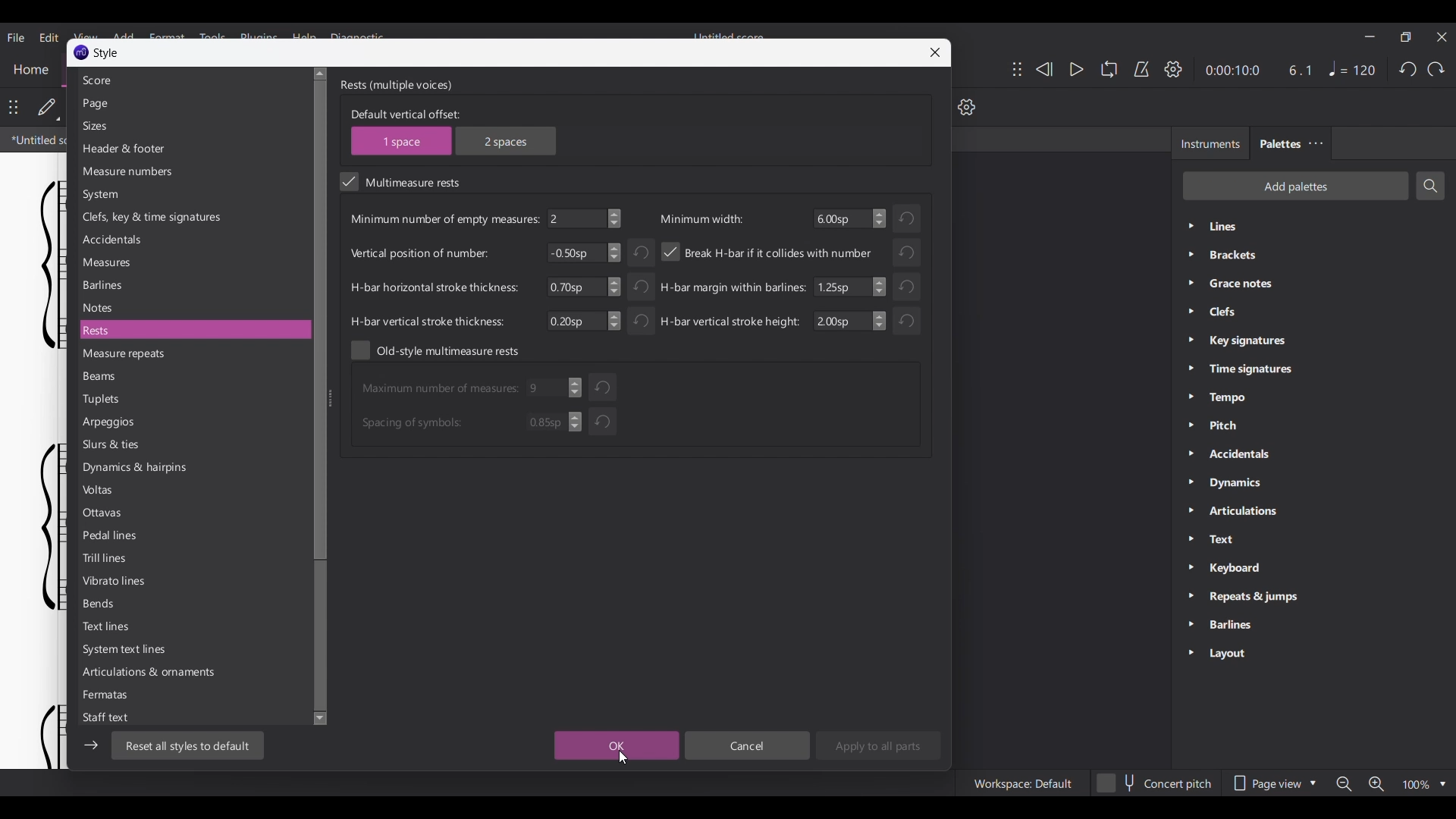 Image resolution: width=1456 pixels, height=819 pixels. I want to click on Change position of toolbar attached, so click(1017, 69).